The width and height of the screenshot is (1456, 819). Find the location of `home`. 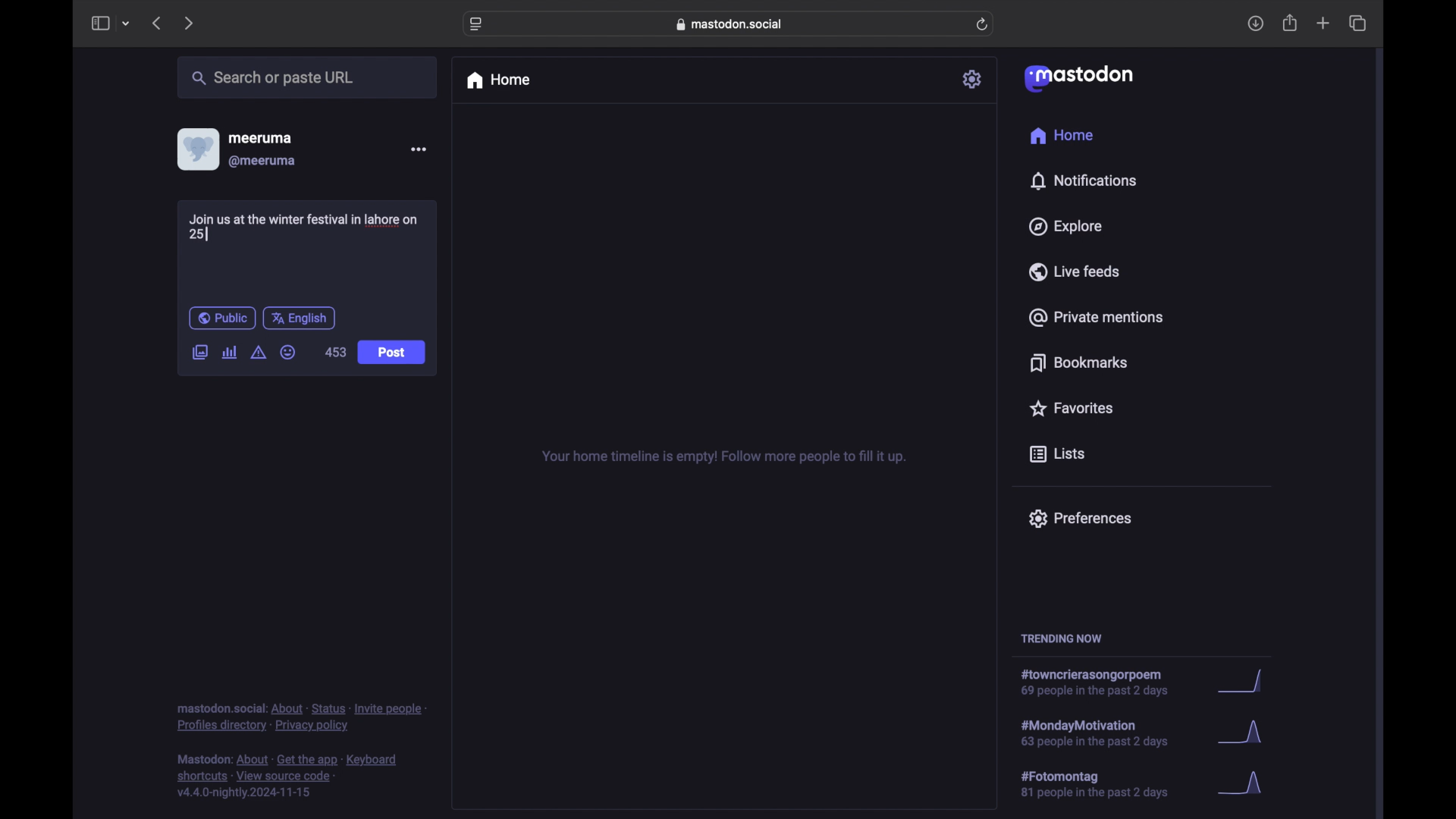

home is located at coordinates (497, 80).